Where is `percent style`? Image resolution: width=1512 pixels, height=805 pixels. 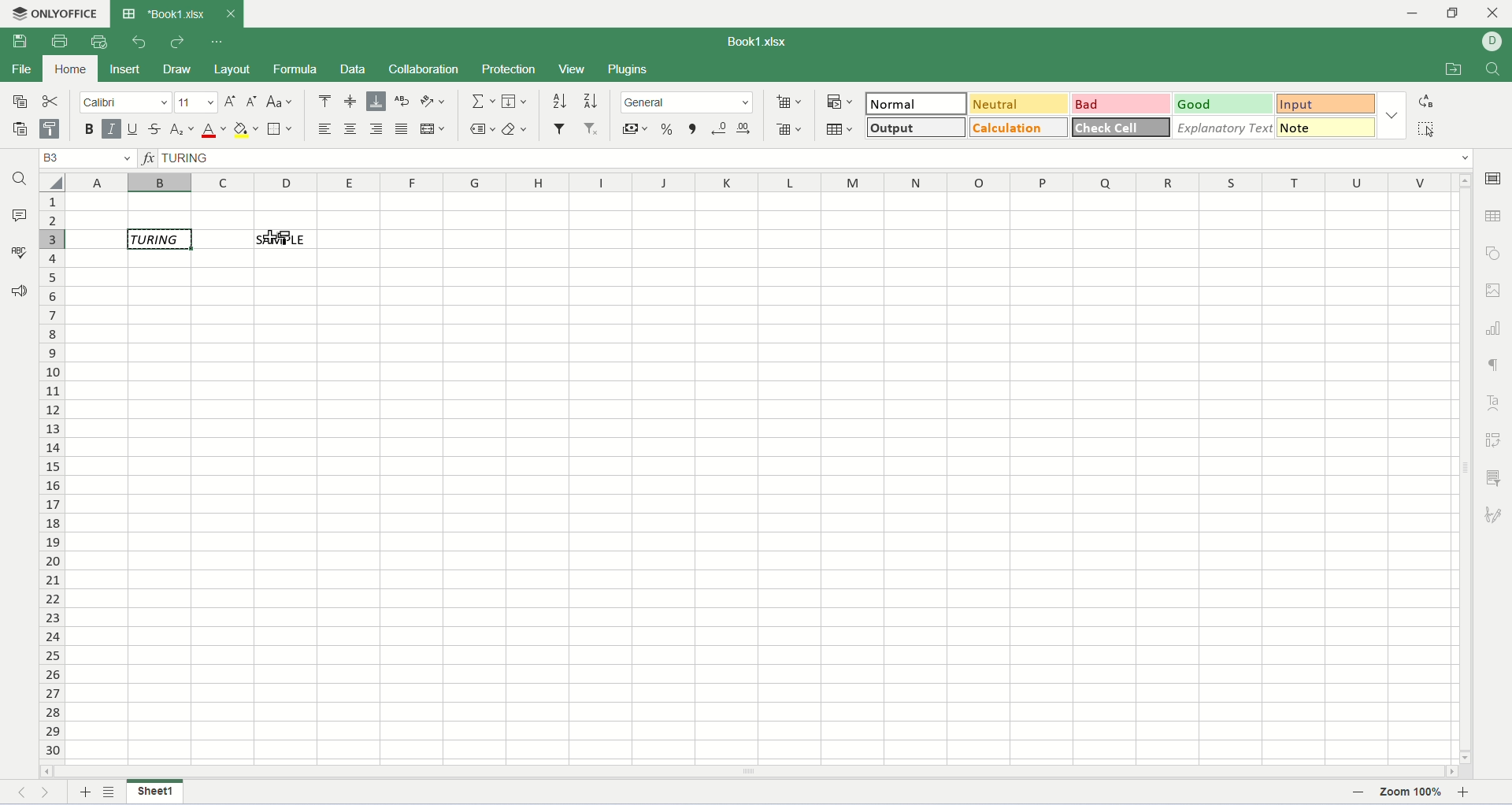 percent style is located at coordinates (669, 130).